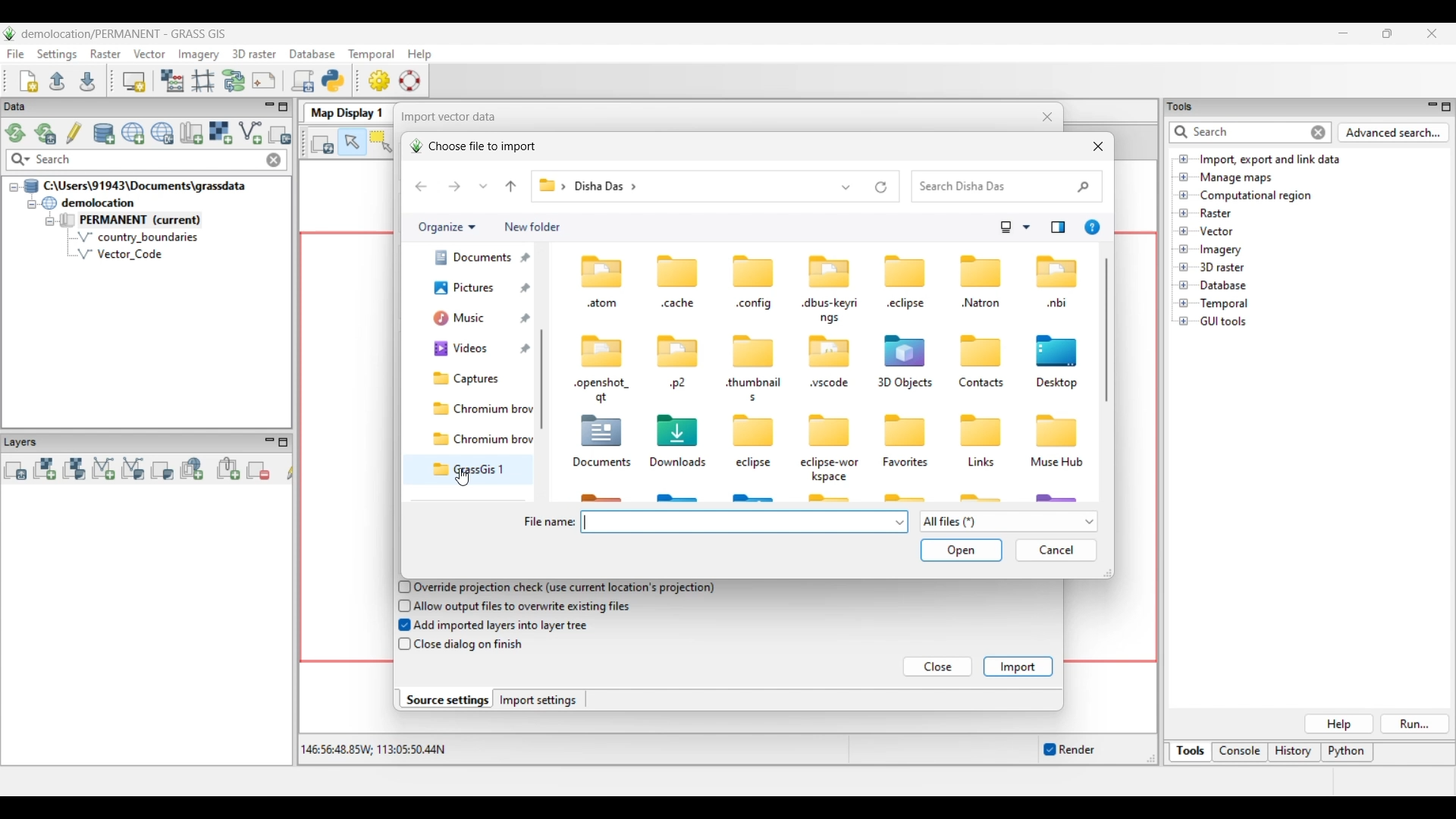 The height and width of the screenshot is (819, 1456). I want to click on Create new workspace, so click(30, 81).